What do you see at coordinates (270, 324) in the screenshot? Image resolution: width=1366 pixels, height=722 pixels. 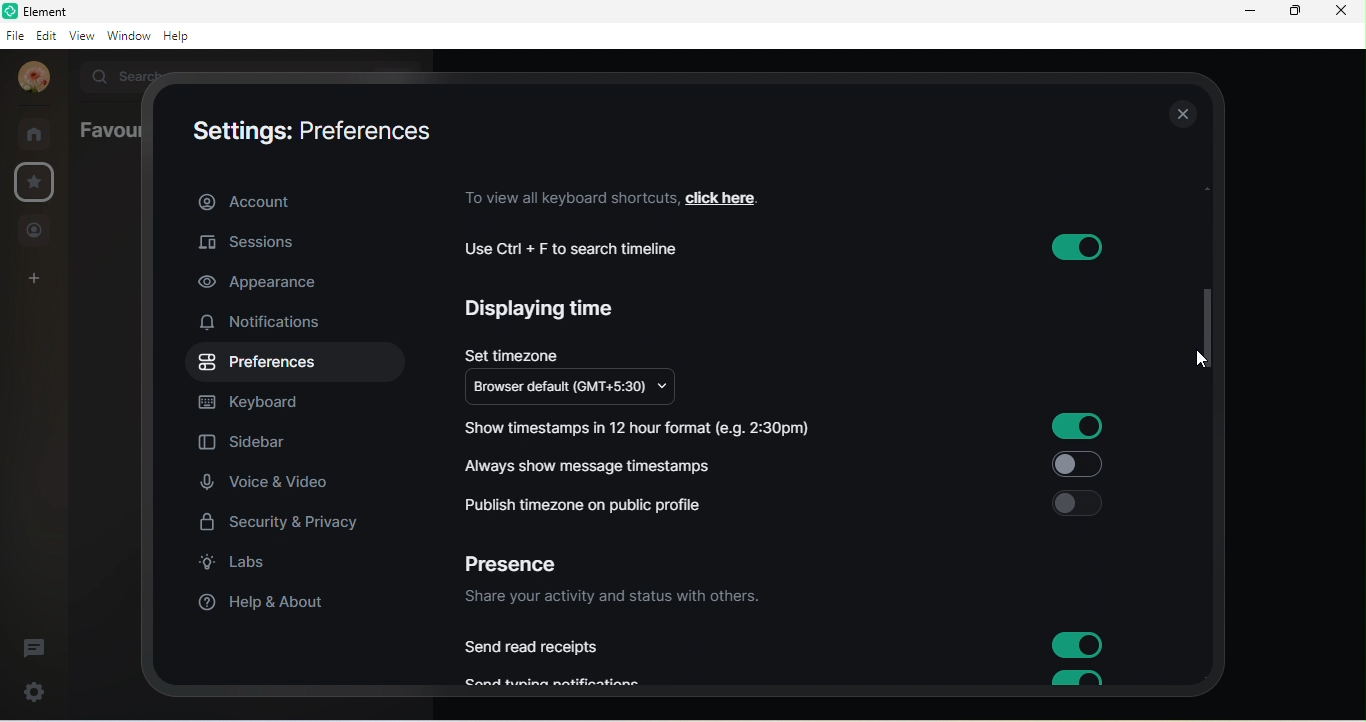 I see `notifications` at bounding box center [270, 324].